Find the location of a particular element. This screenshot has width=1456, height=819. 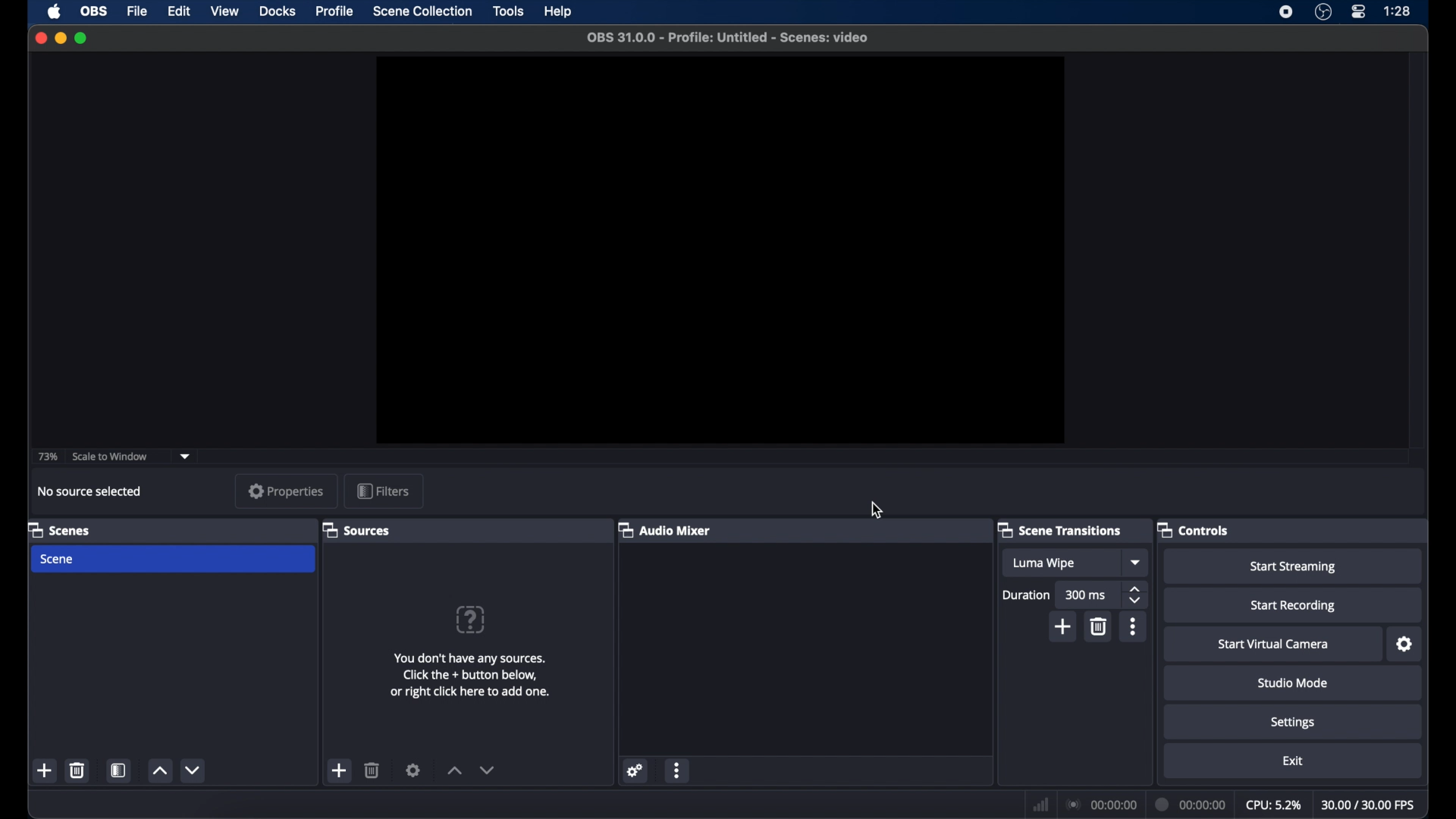

scale to window is located at coordinates (110, 457).